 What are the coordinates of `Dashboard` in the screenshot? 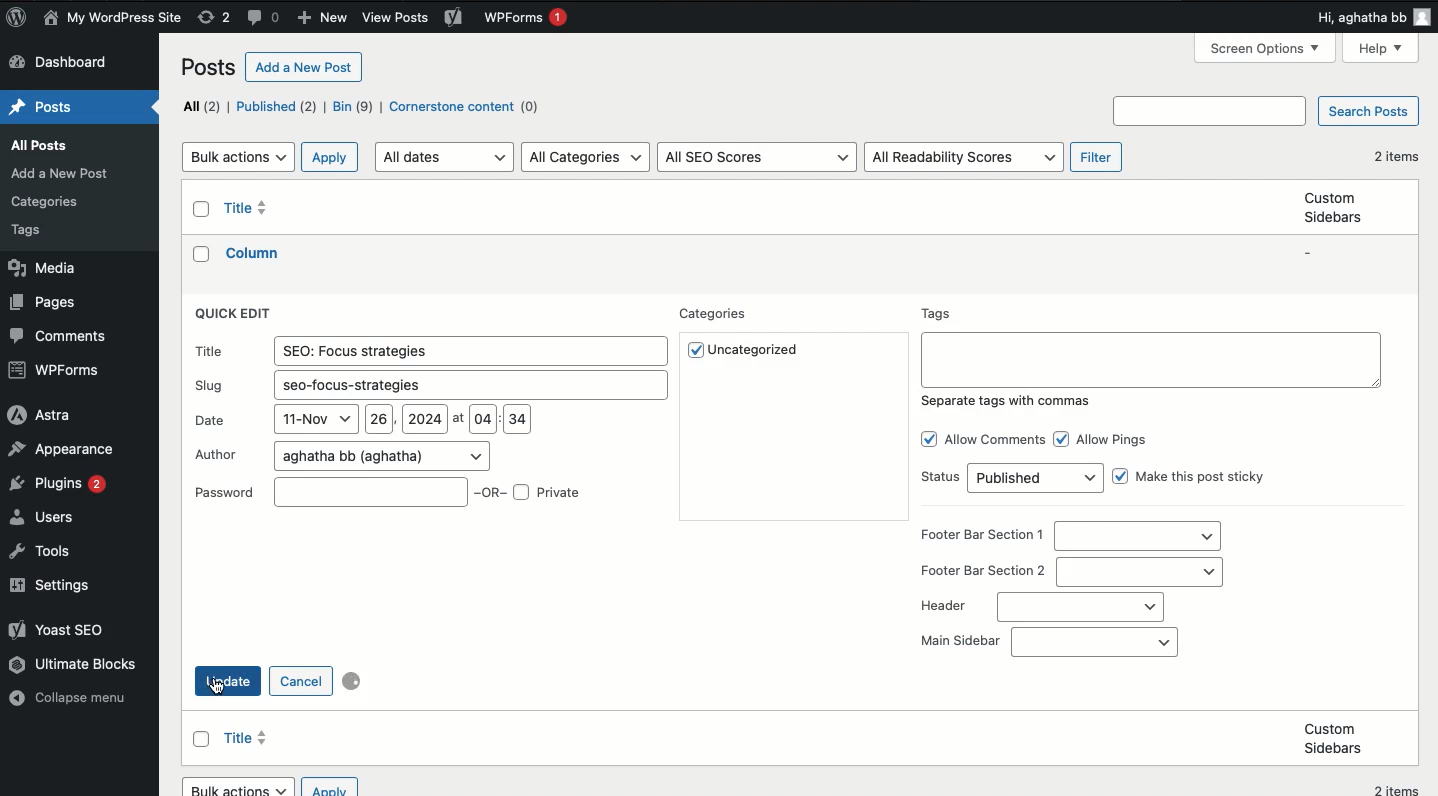 It's located at (61, 64).